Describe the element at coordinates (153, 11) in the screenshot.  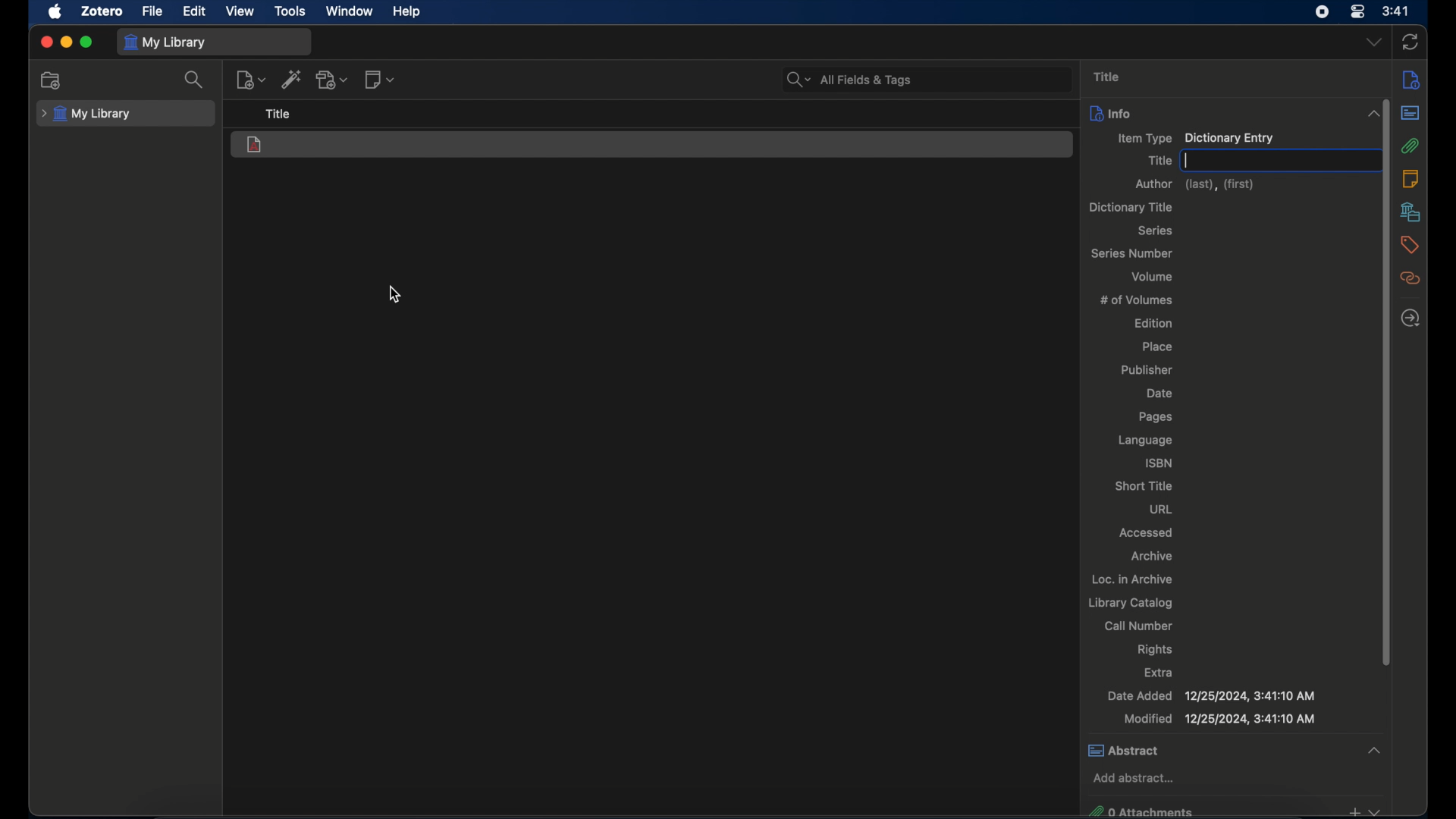
I see `file` at that location.